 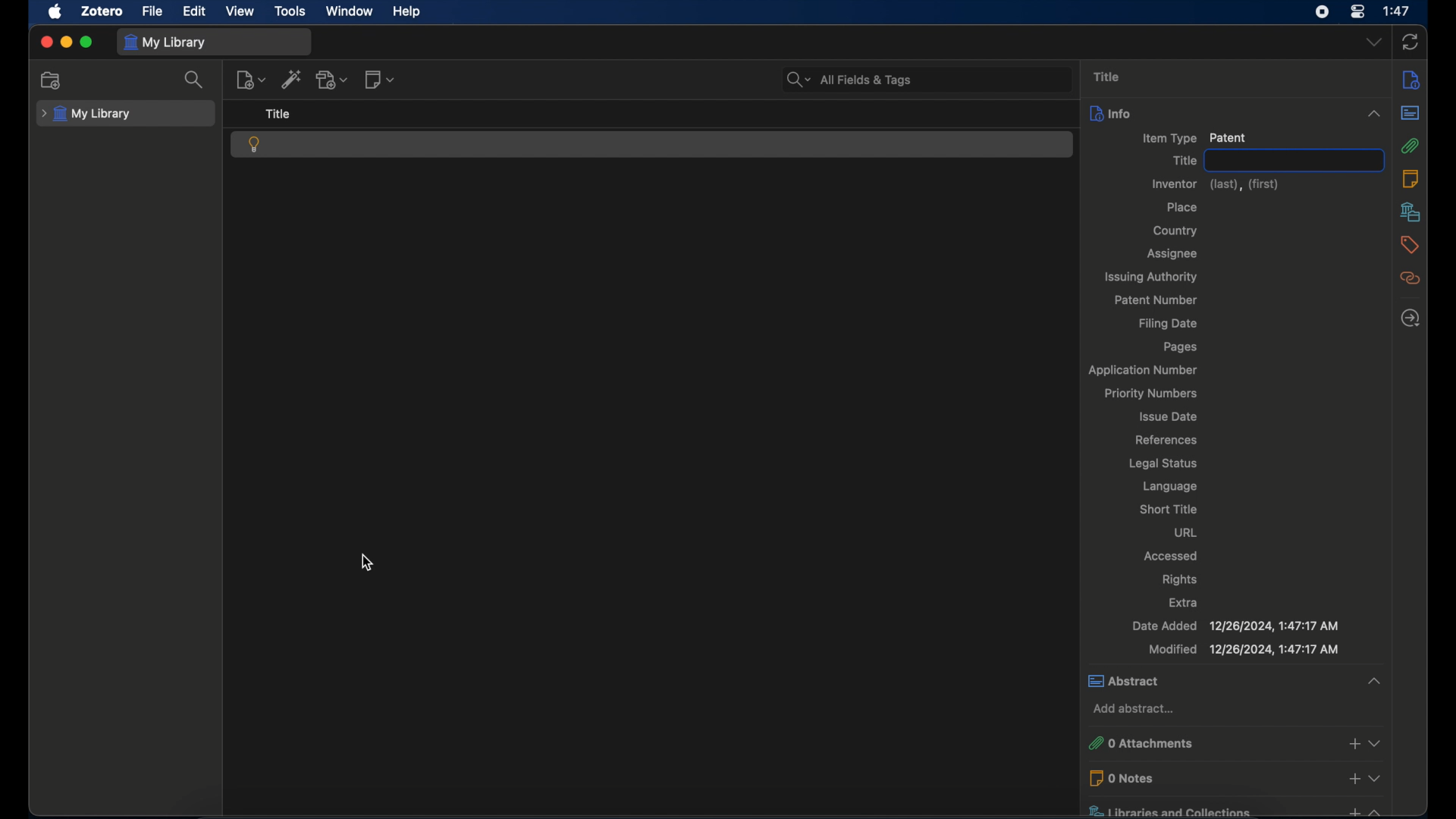 What do you see at coordinates (1294, 159) in the screenshot?
I see `title` at bounding box center [1294, 159].